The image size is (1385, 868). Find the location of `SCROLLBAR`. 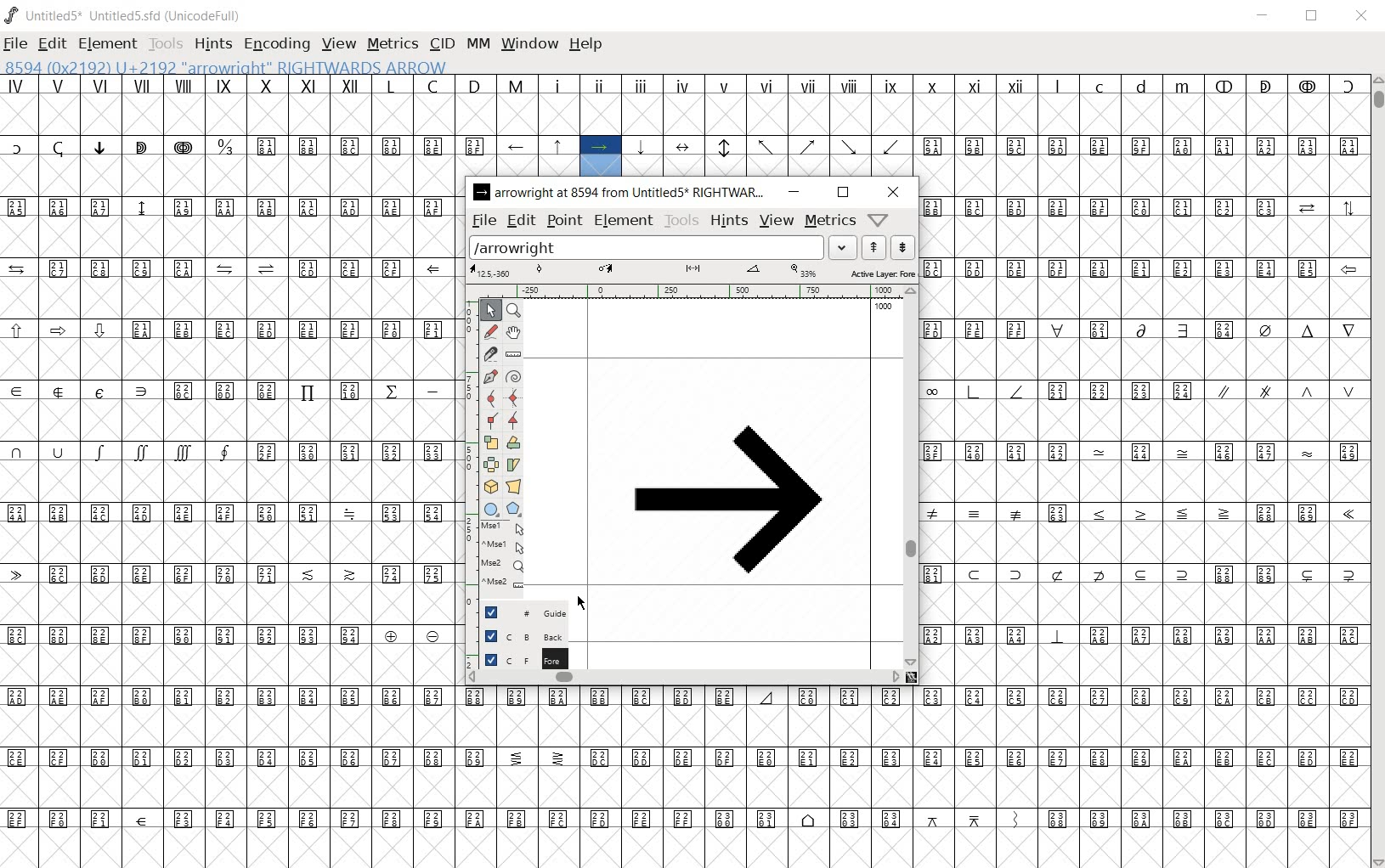

SCROLLBAR is located at coordinates (1377, 470).